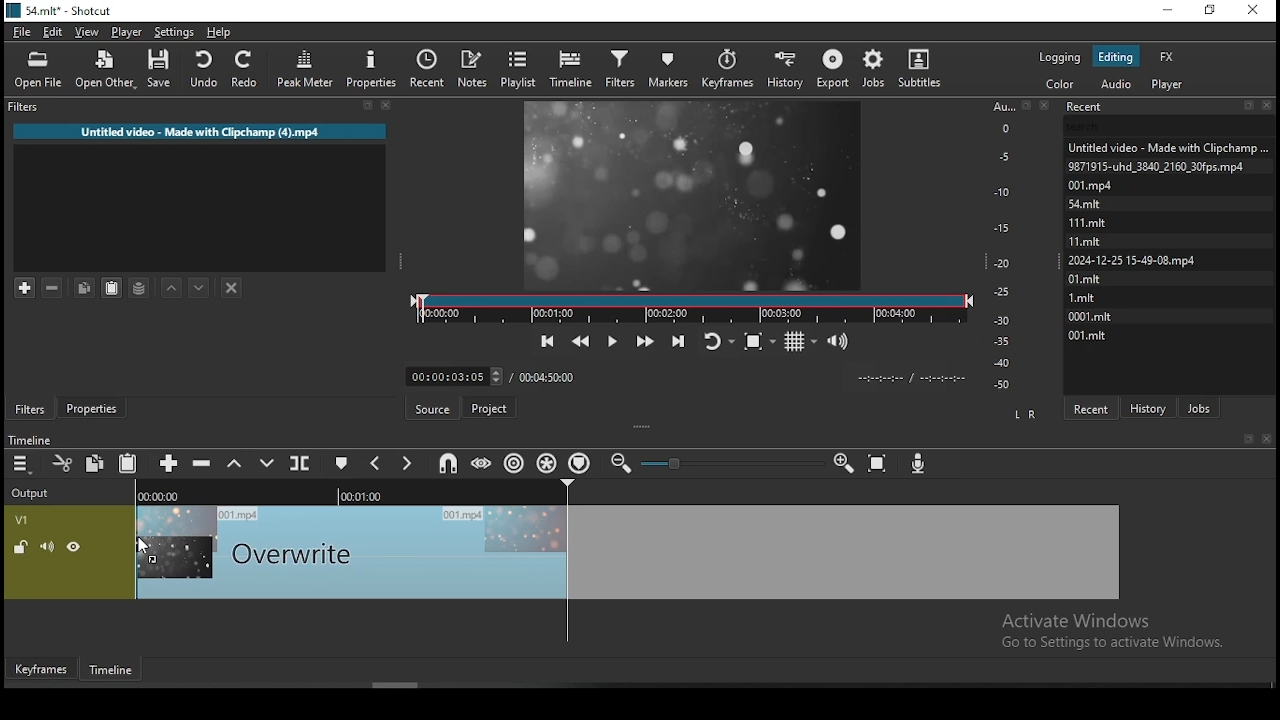  Describe the element at coordinates (86, 285) in the screenshot. I see `copy` at that location.